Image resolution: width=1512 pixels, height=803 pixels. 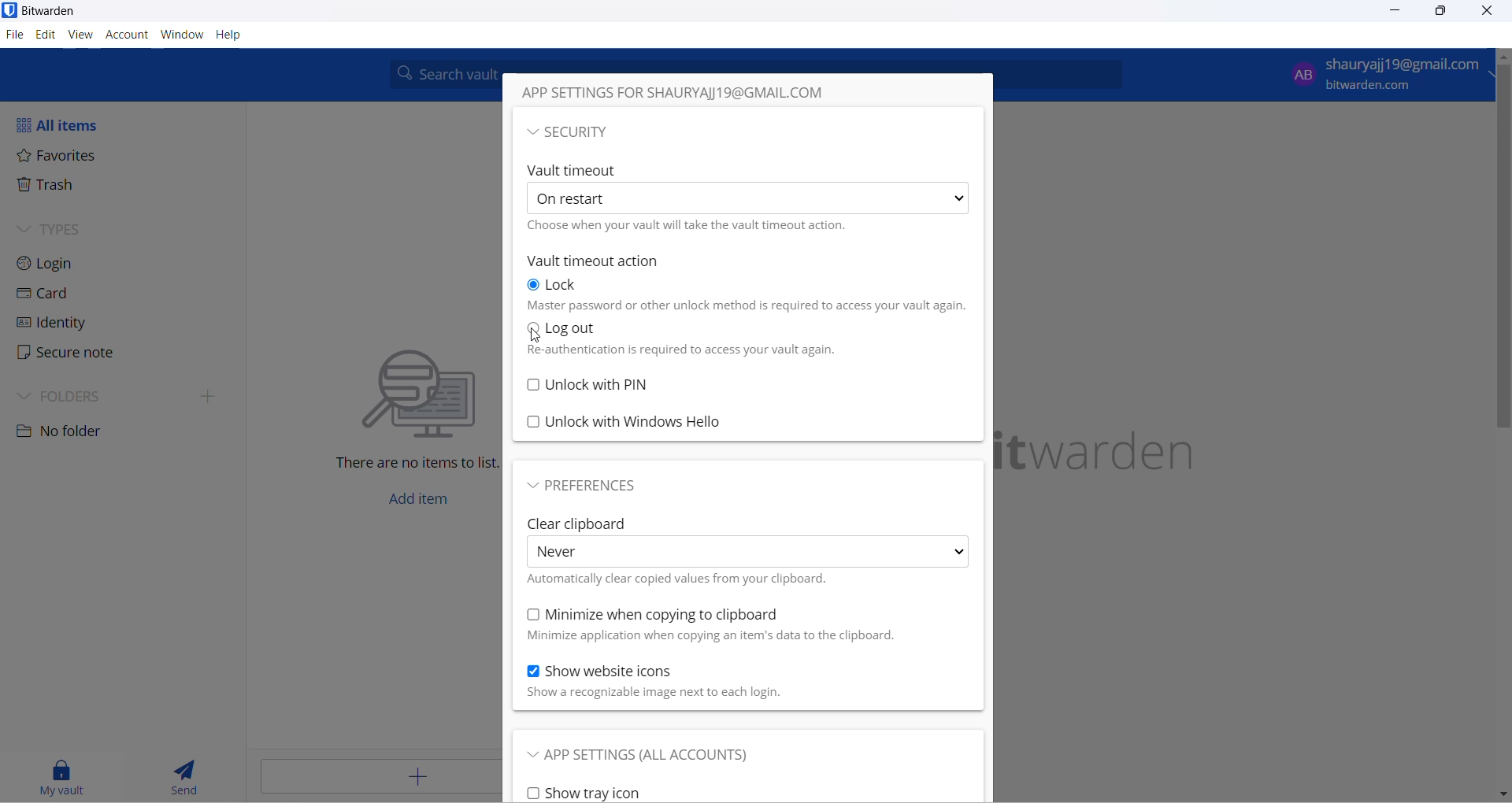 I want to click on show tray icon checkbox, so click(x=621, y=791).